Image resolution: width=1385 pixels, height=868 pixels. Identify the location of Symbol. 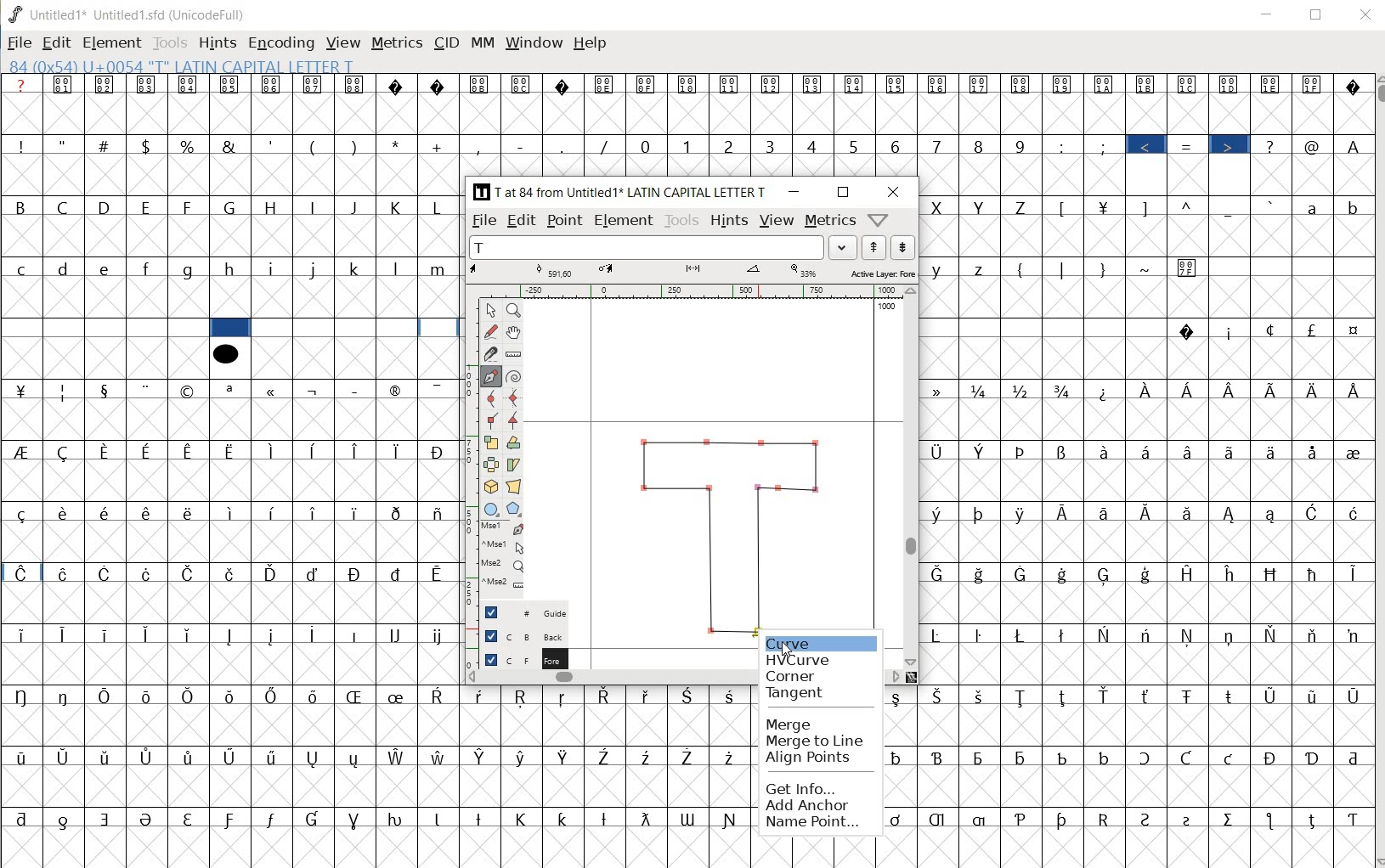
(1189, 695).